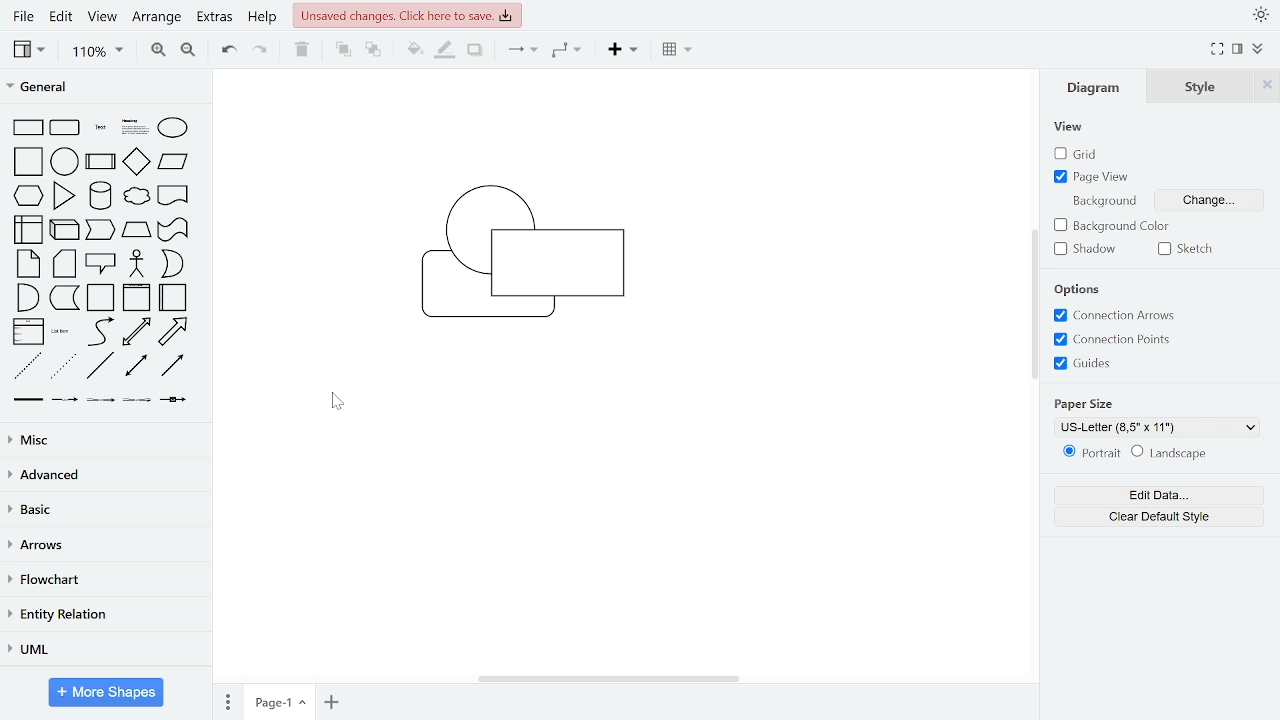  What do you see at coordinates (106, 648) in the screenshot?
I see `UML` at bounding box center [106, 648].